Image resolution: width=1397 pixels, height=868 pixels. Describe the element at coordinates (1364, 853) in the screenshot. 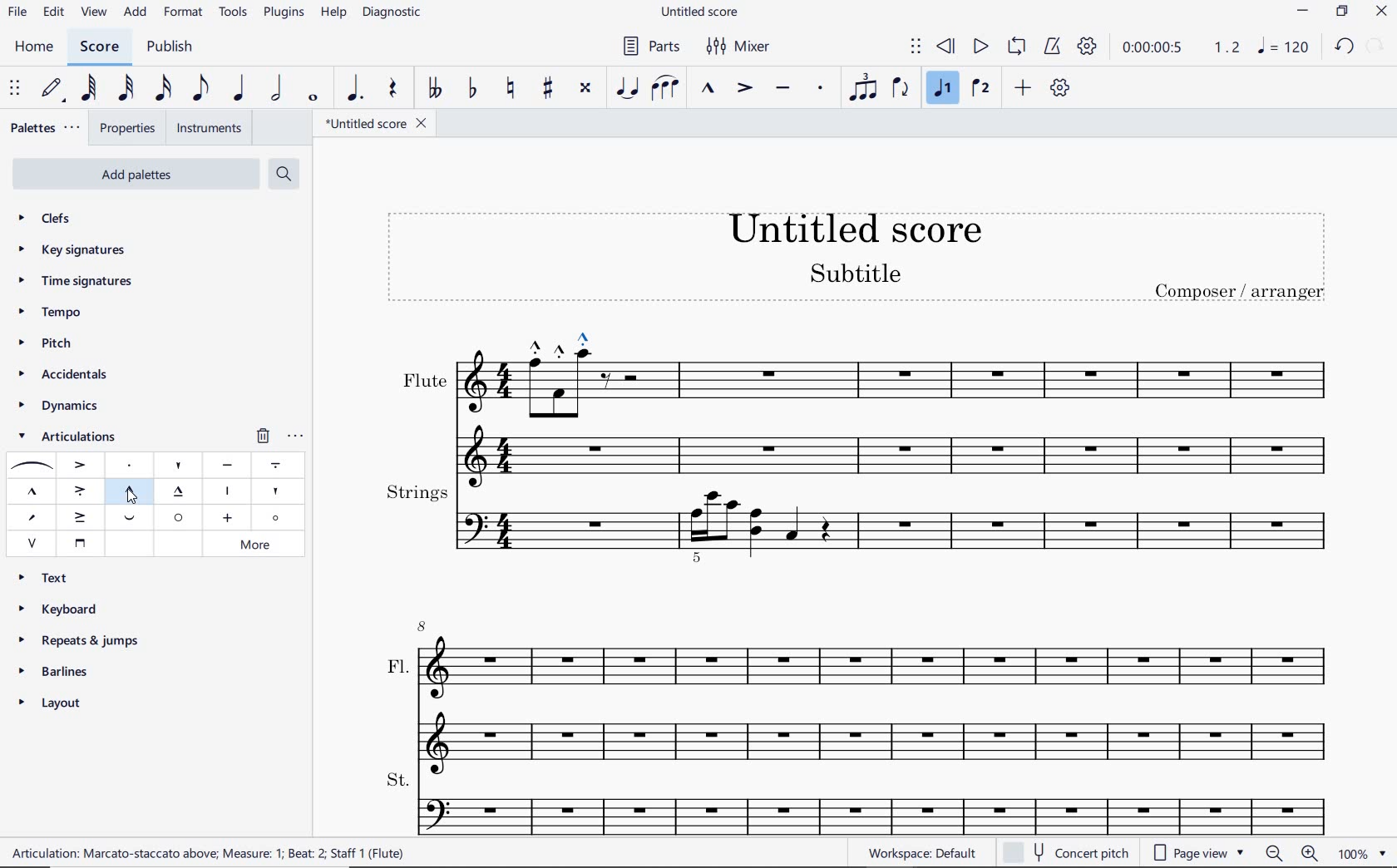

I see `zoom factor` at that location.